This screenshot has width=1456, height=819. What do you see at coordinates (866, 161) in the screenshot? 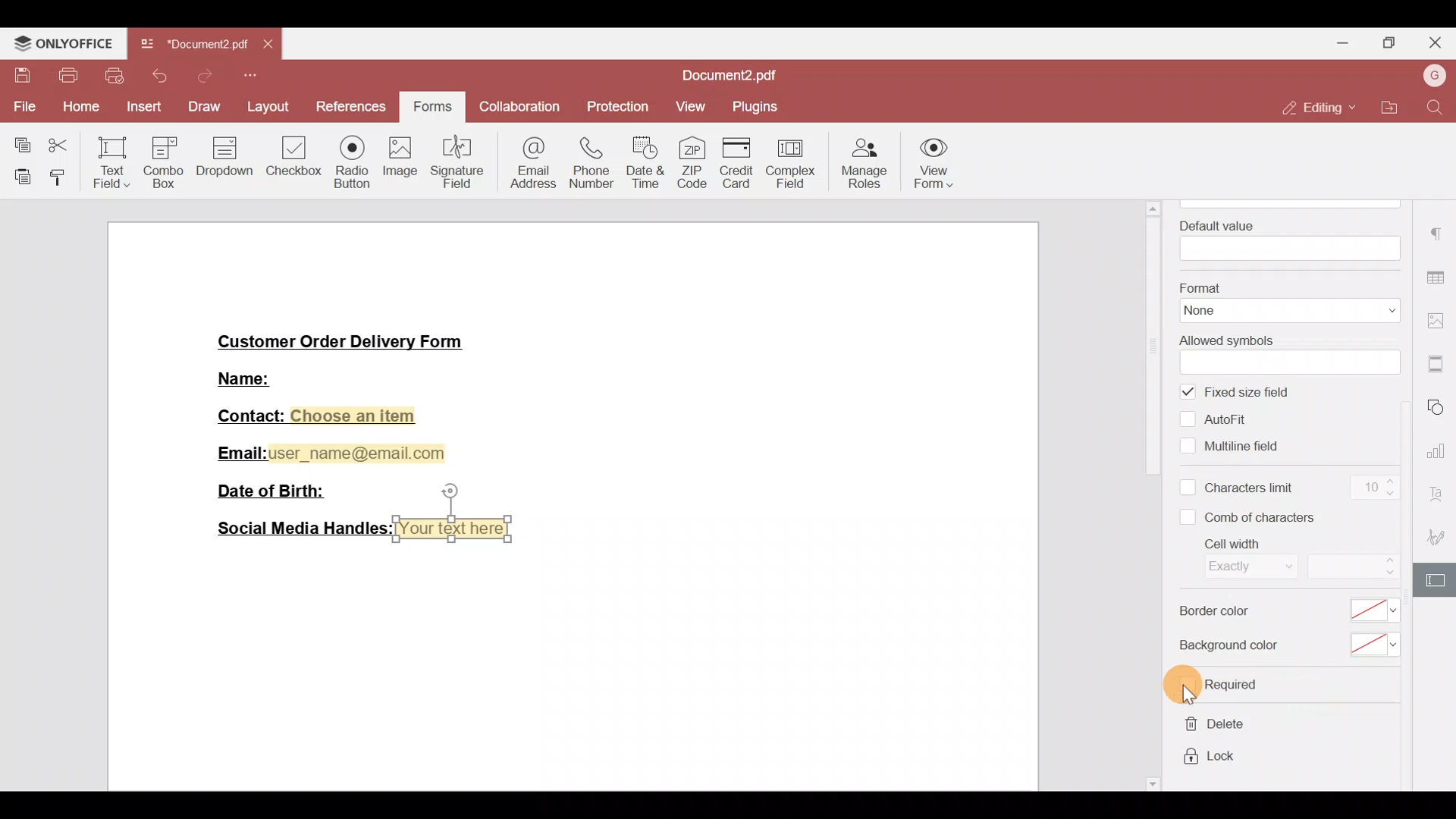
I see `Manage roles` at bounding box center [866, 161].